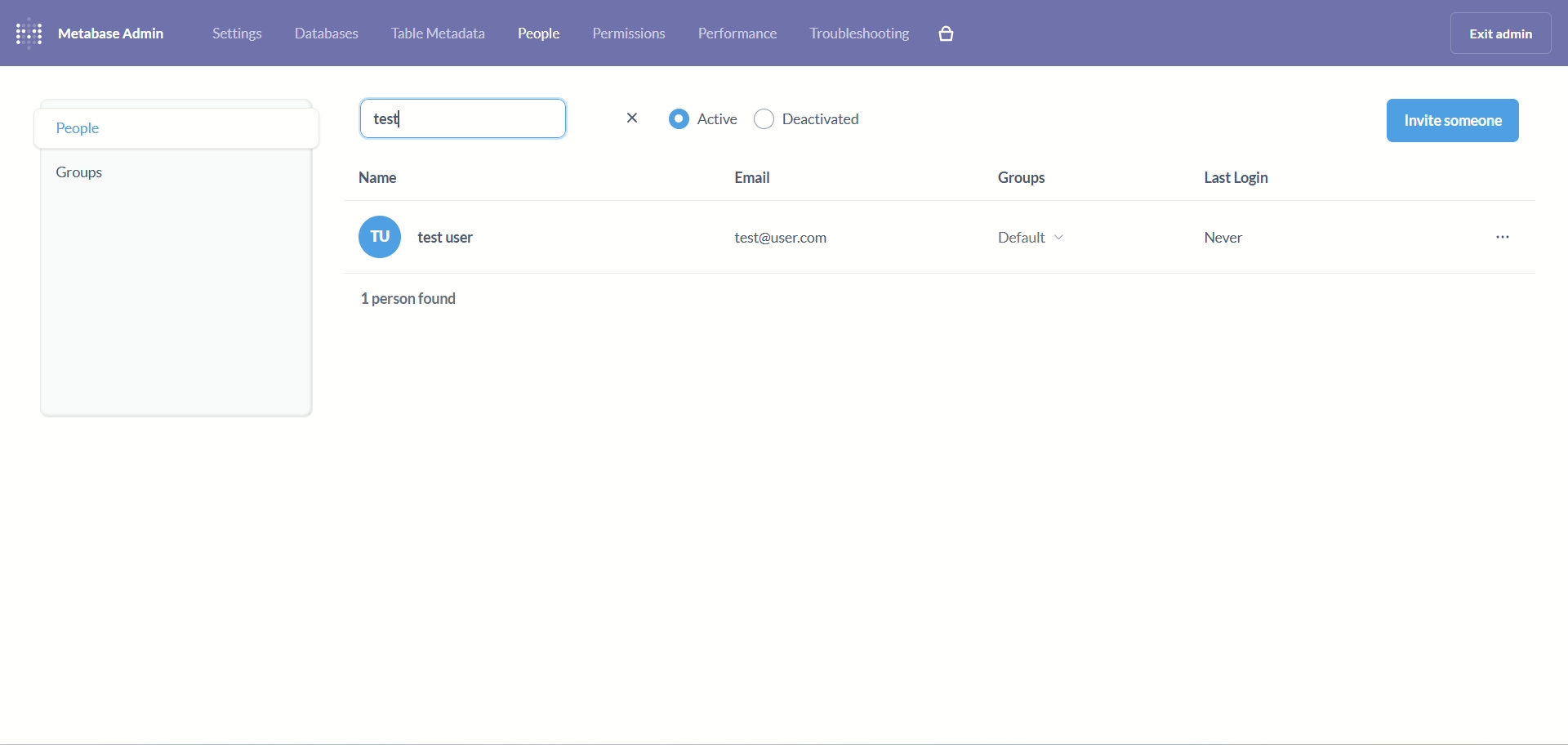  What do you see at coordinates (1454, 122) in the screenshot?
I see `invite someone` at bounding box center [1454, 122].